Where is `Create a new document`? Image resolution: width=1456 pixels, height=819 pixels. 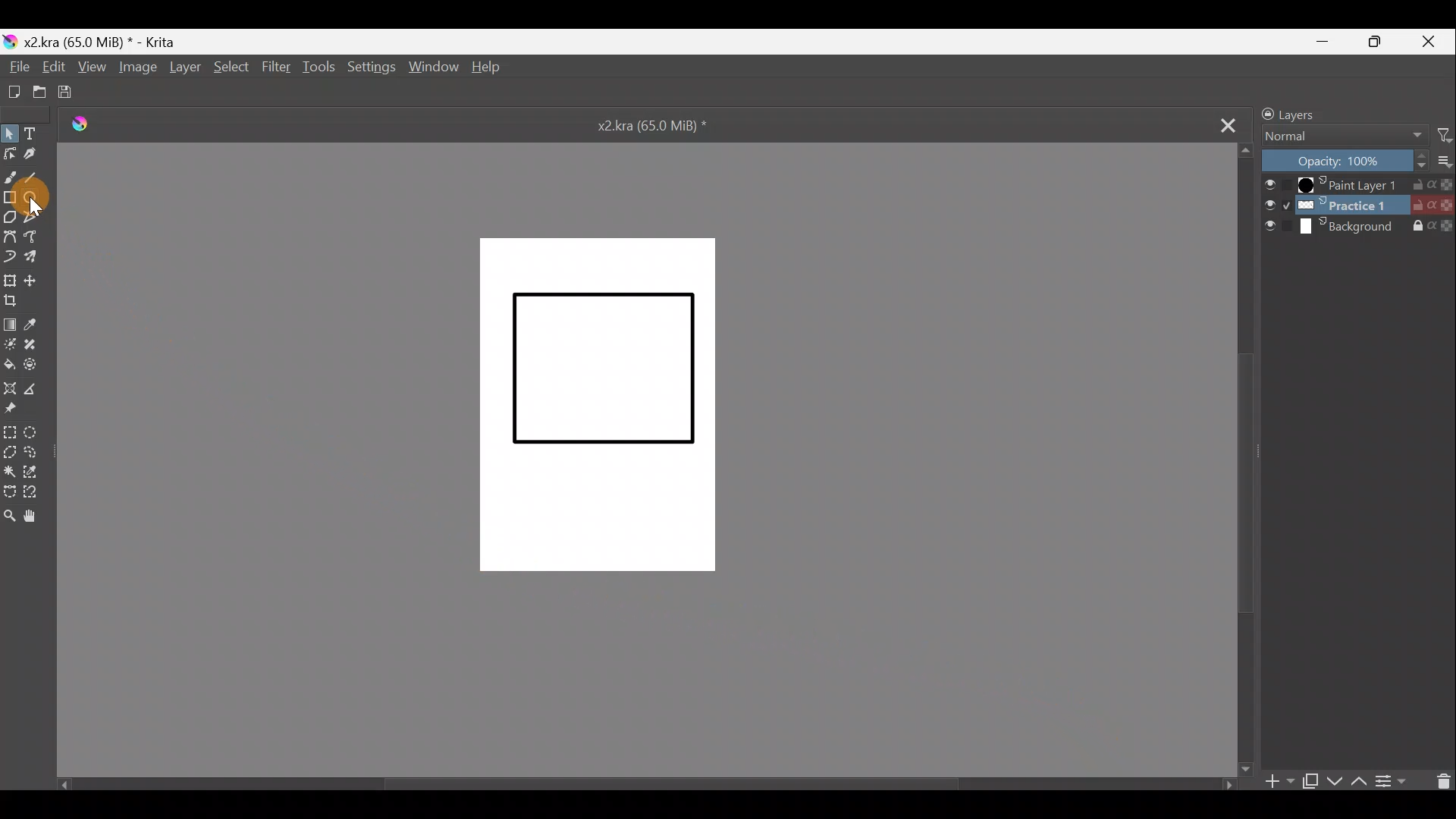
Create a new document is located at coordinates (14, 89).